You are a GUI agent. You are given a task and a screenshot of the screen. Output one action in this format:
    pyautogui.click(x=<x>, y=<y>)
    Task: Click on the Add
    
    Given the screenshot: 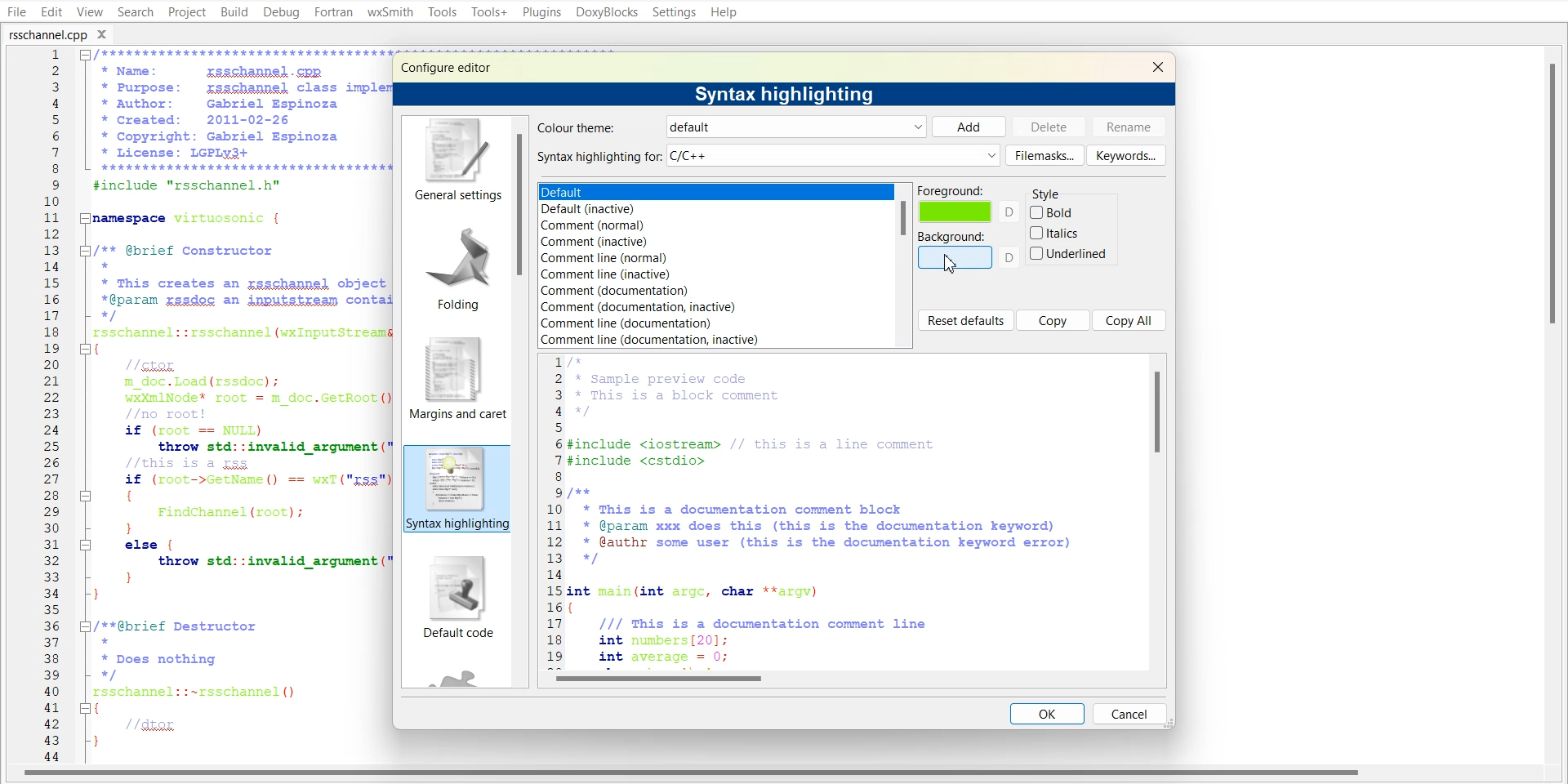 What is the action you would take?
    pyautogui.click(x=969, y=127)
    